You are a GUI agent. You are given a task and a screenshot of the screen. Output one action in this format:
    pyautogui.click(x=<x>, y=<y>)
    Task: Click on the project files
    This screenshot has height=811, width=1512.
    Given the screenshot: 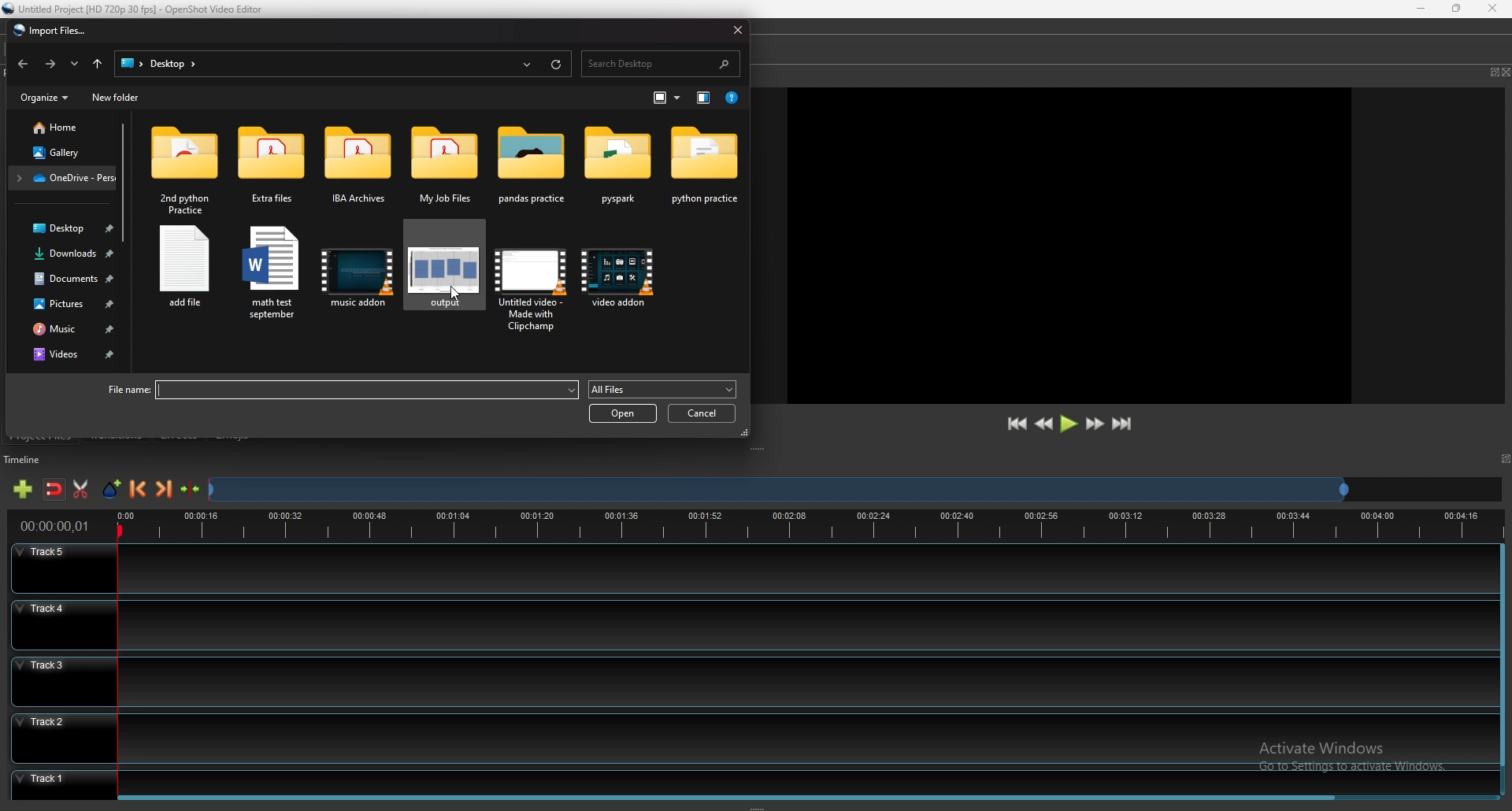 What is the action you would take?
    pyautogui.click(x=42, y=435)
    